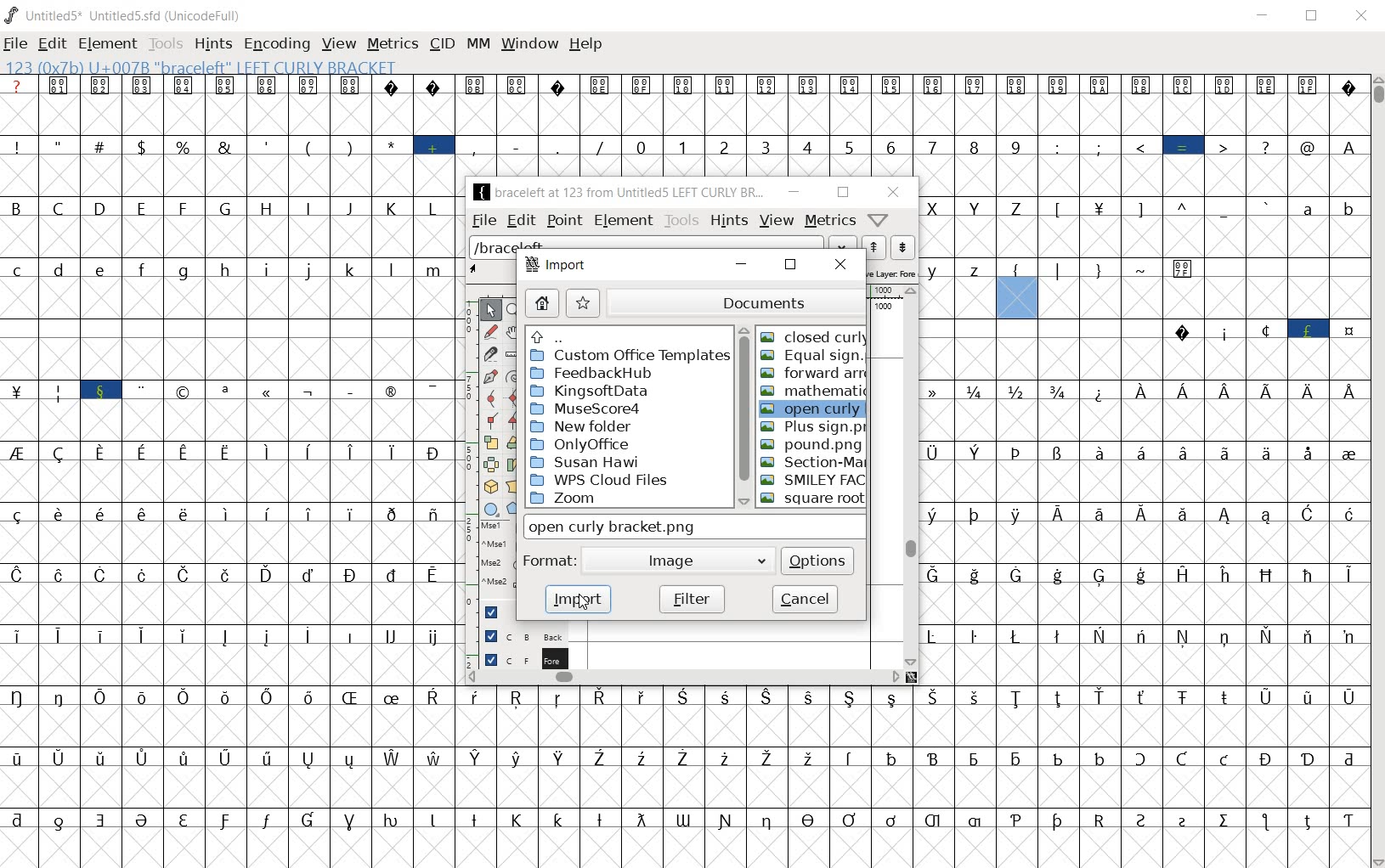 Image resolution: width=1385 pixels, height=868 pixels. What do you see at coordinates (491, 559) in the screenshot?
I see `mse1 mse1 mse2 mse2` at bounding box center [491, 559].